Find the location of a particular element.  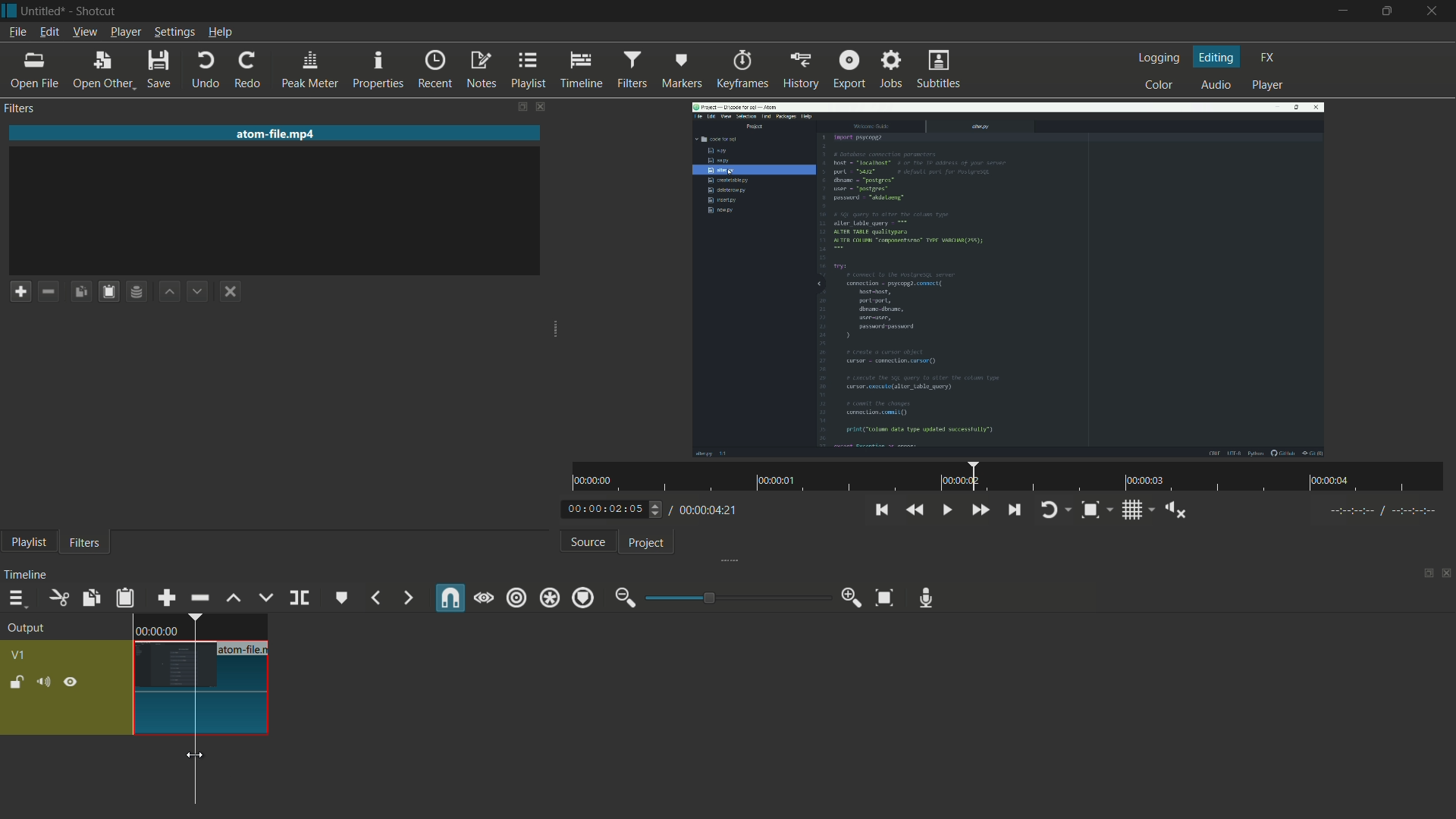

file menu is located at coordinates (18, 33).